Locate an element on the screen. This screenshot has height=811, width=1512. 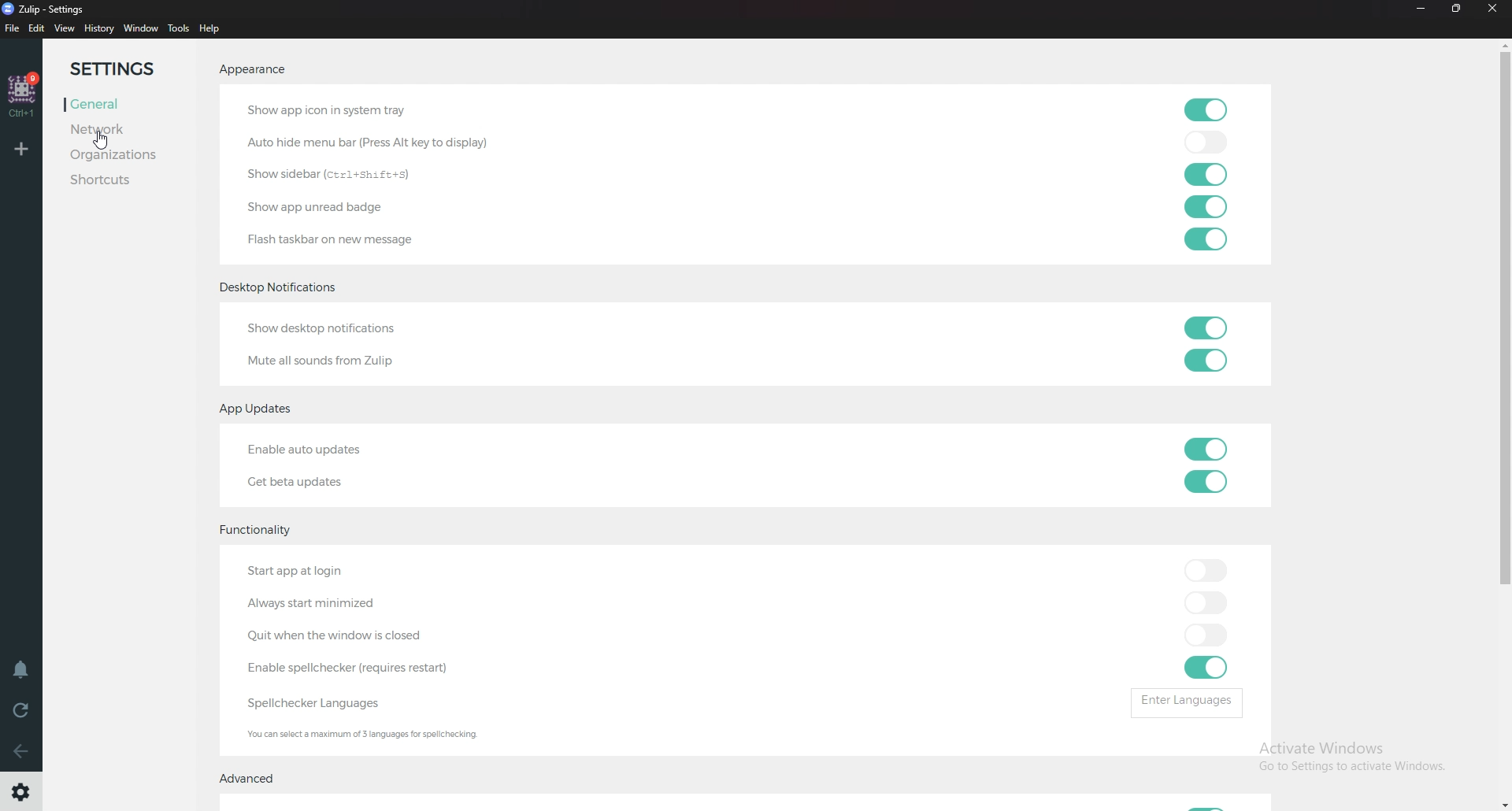
file is located at coordinates (13, 28).